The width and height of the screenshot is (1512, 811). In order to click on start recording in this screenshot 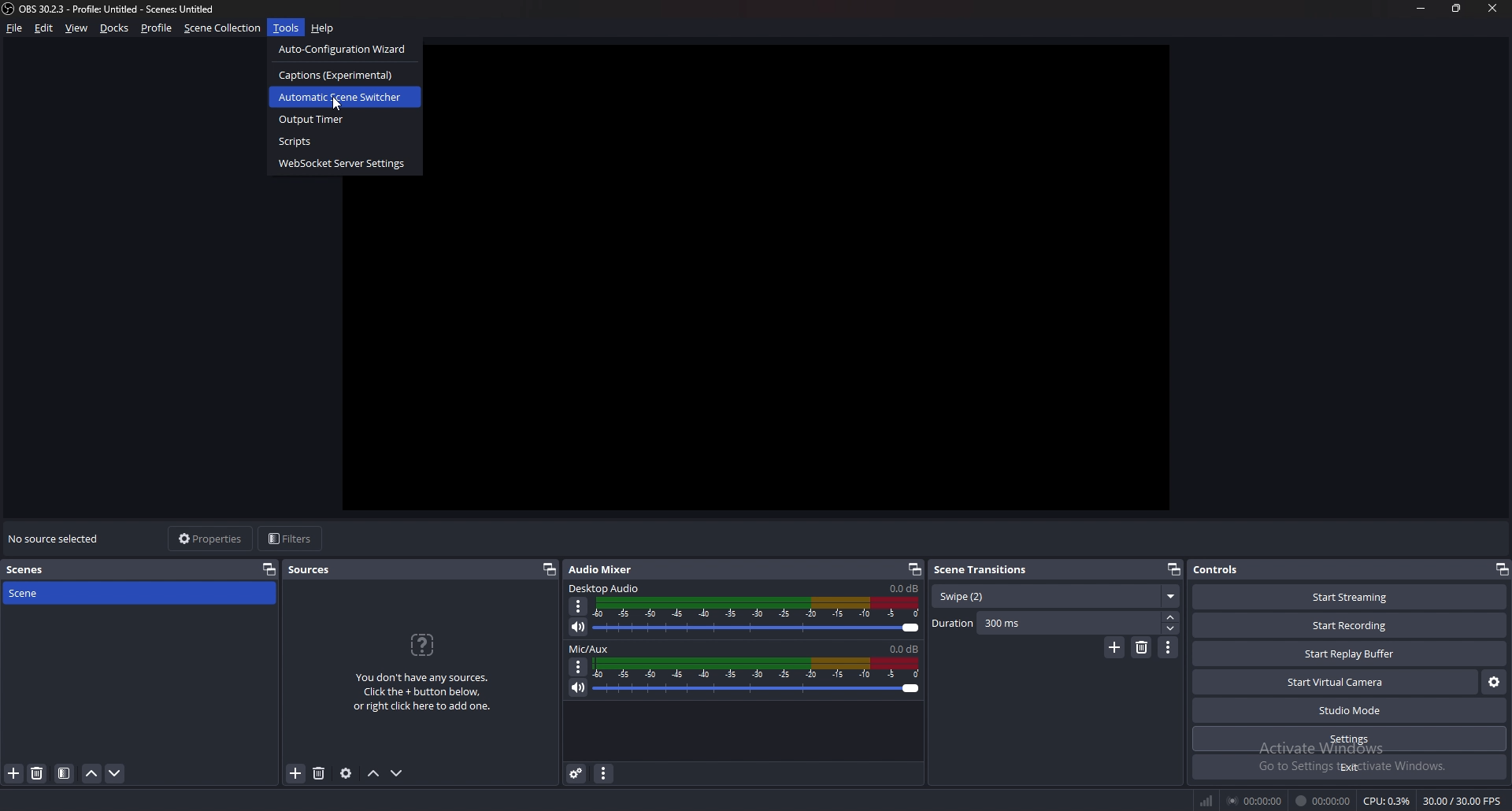, I will do `click(1349, 626)`.